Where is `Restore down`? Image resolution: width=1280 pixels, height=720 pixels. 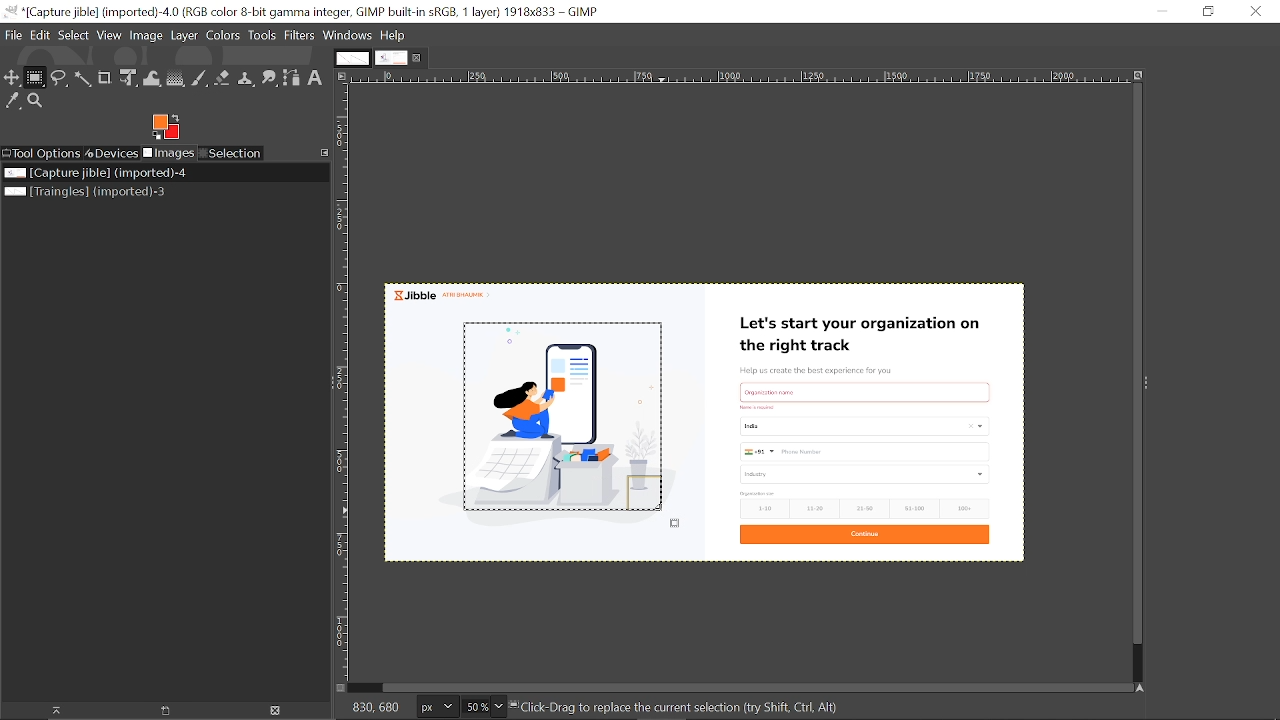 Restore down is located at coordinates (1208, 12).